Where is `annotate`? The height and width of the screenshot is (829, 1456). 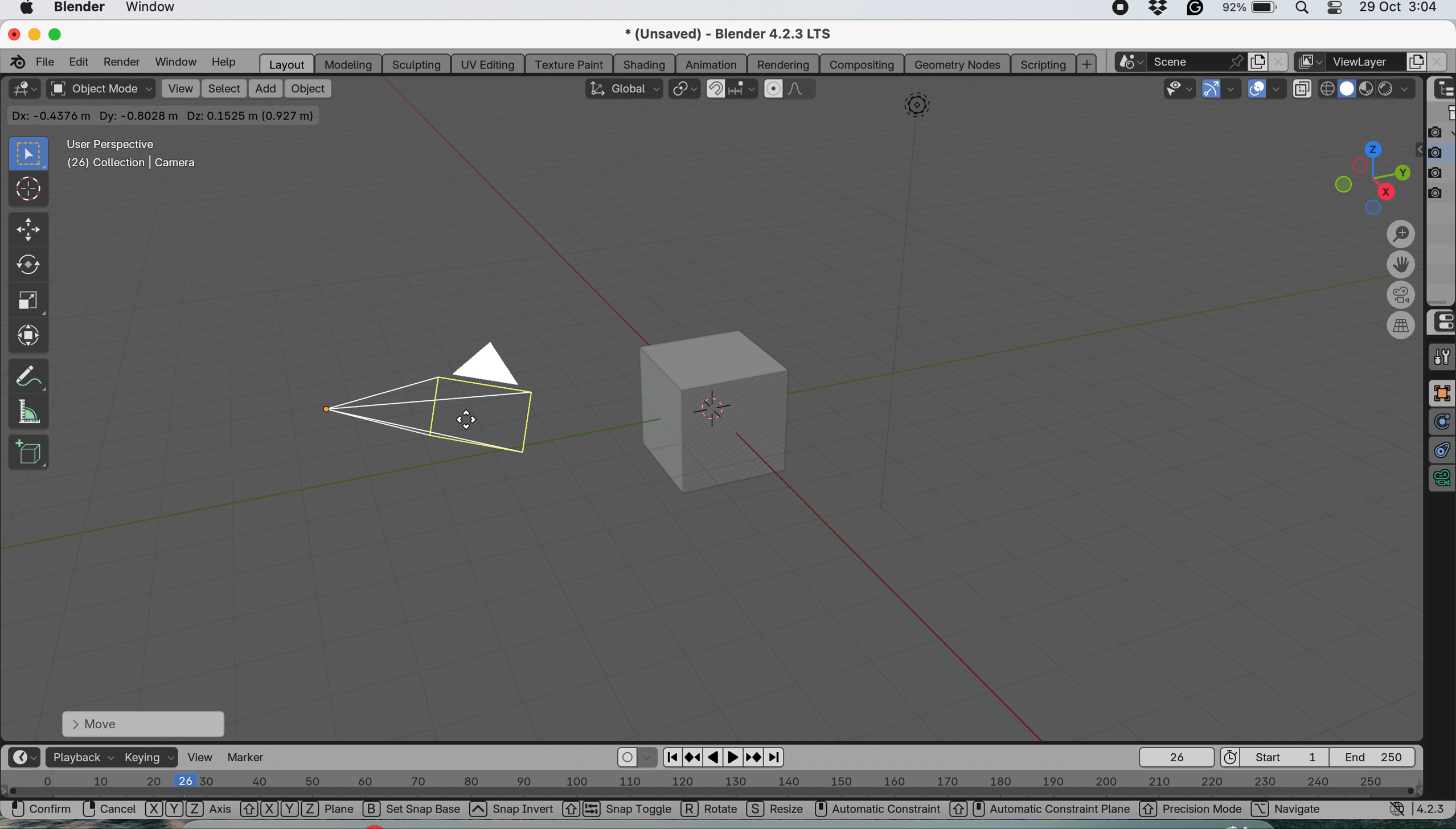
annotate is located at coordinates (28, 373).